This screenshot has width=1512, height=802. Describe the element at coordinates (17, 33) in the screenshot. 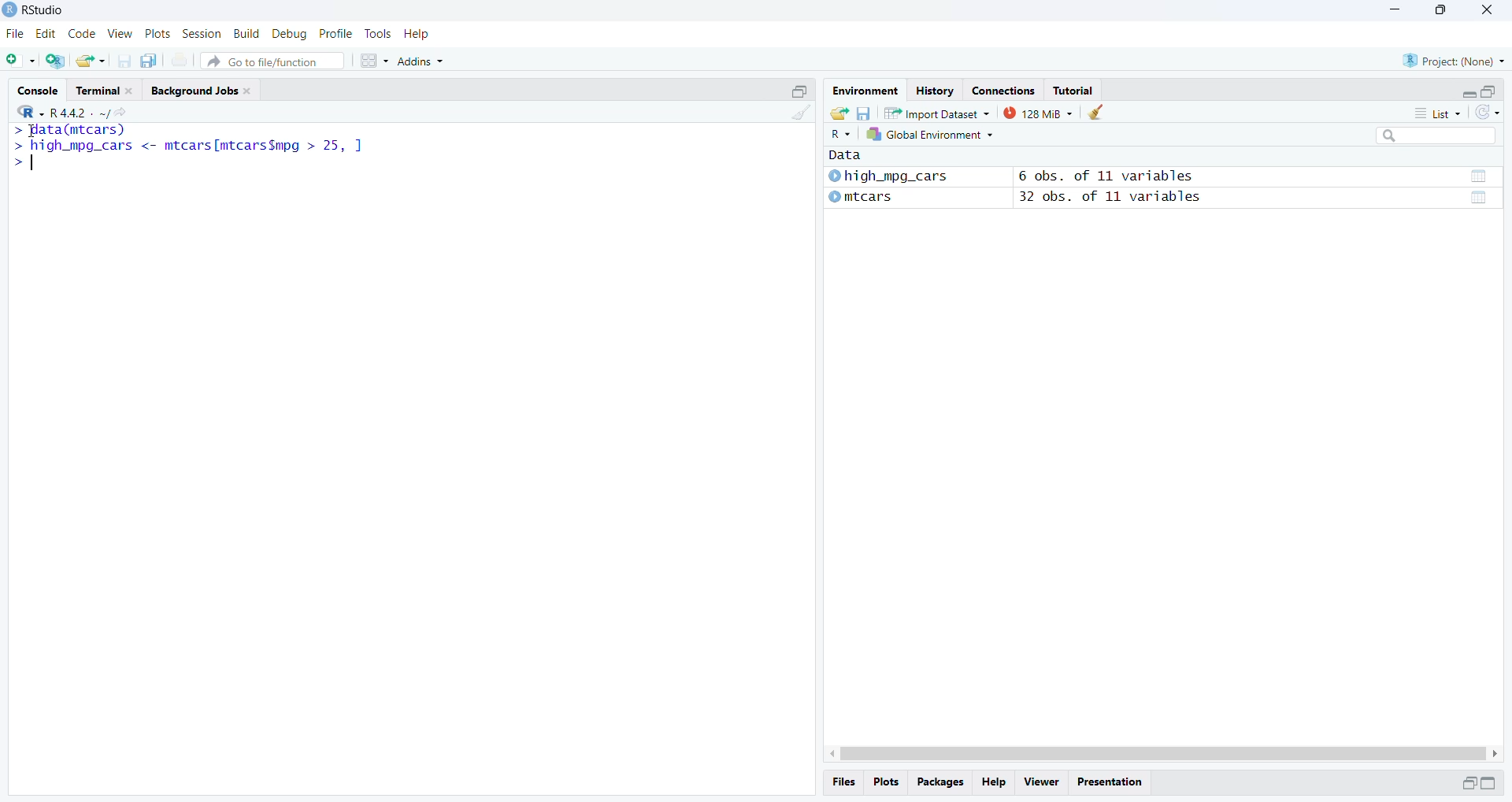

I see `File` at that location.